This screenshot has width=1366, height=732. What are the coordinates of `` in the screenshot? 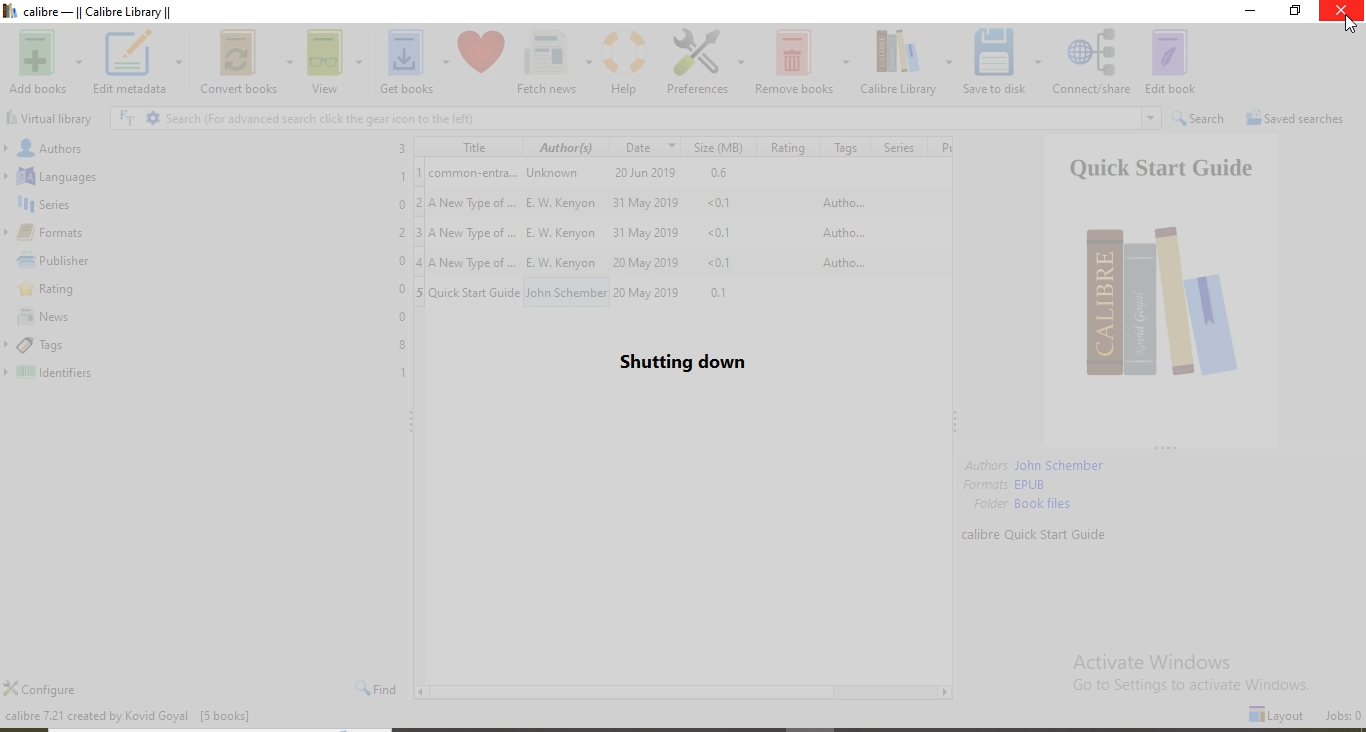 It's located at (722, 264).